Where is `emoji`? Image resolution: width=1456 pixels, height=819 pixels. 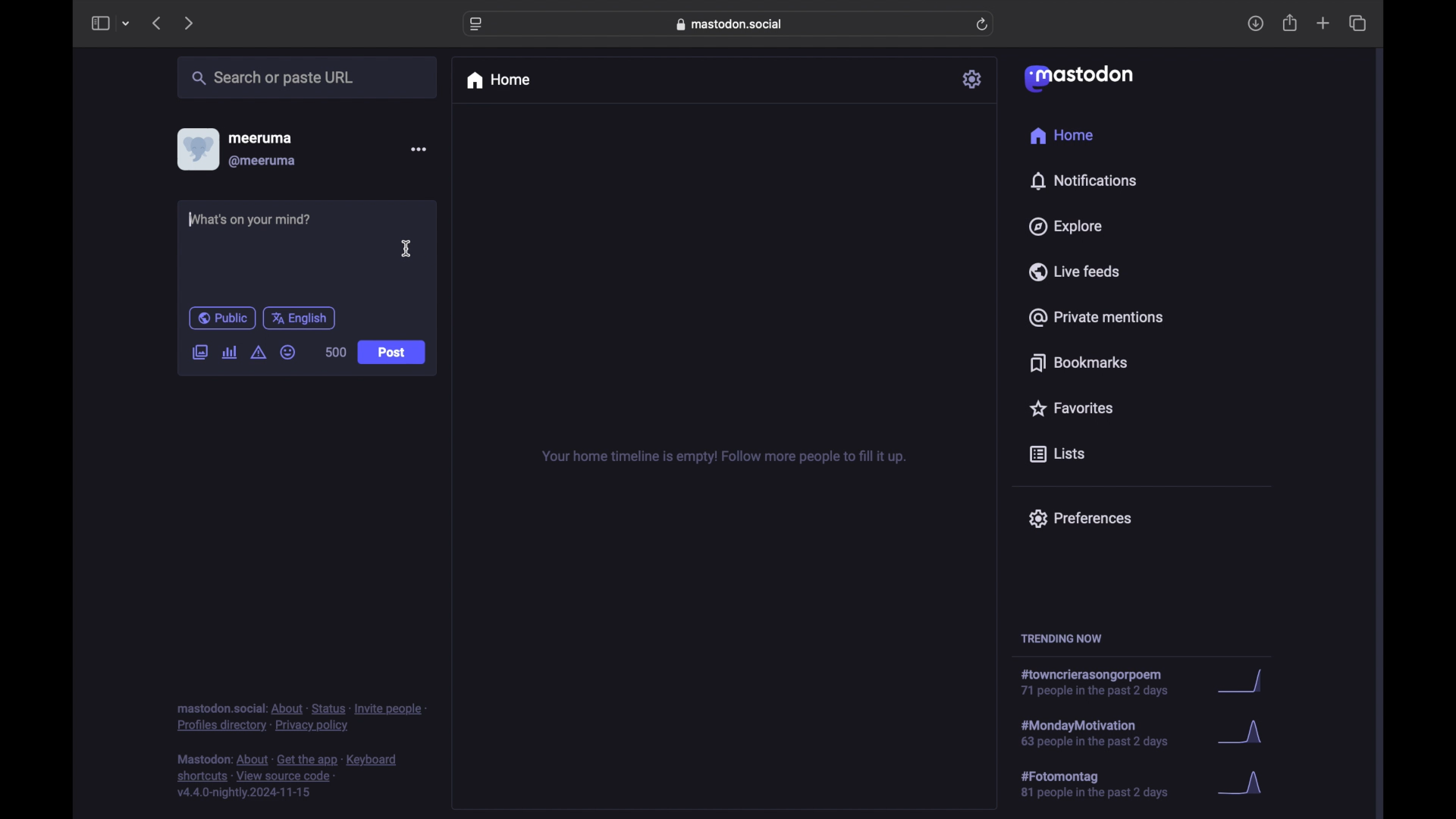
emoji is located at coordinates (287, 352).